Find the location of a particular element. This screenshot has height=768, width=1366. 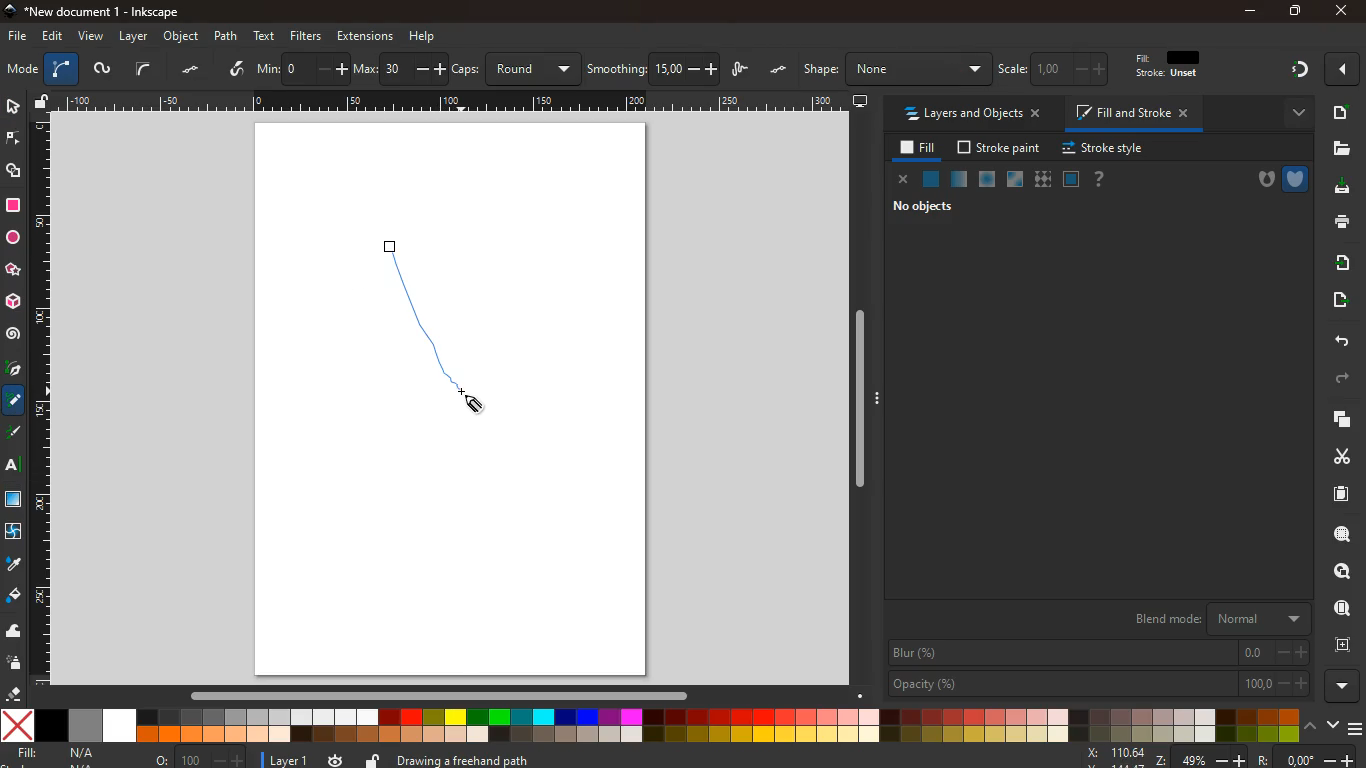

unlock is located at coordinates (373, 759).